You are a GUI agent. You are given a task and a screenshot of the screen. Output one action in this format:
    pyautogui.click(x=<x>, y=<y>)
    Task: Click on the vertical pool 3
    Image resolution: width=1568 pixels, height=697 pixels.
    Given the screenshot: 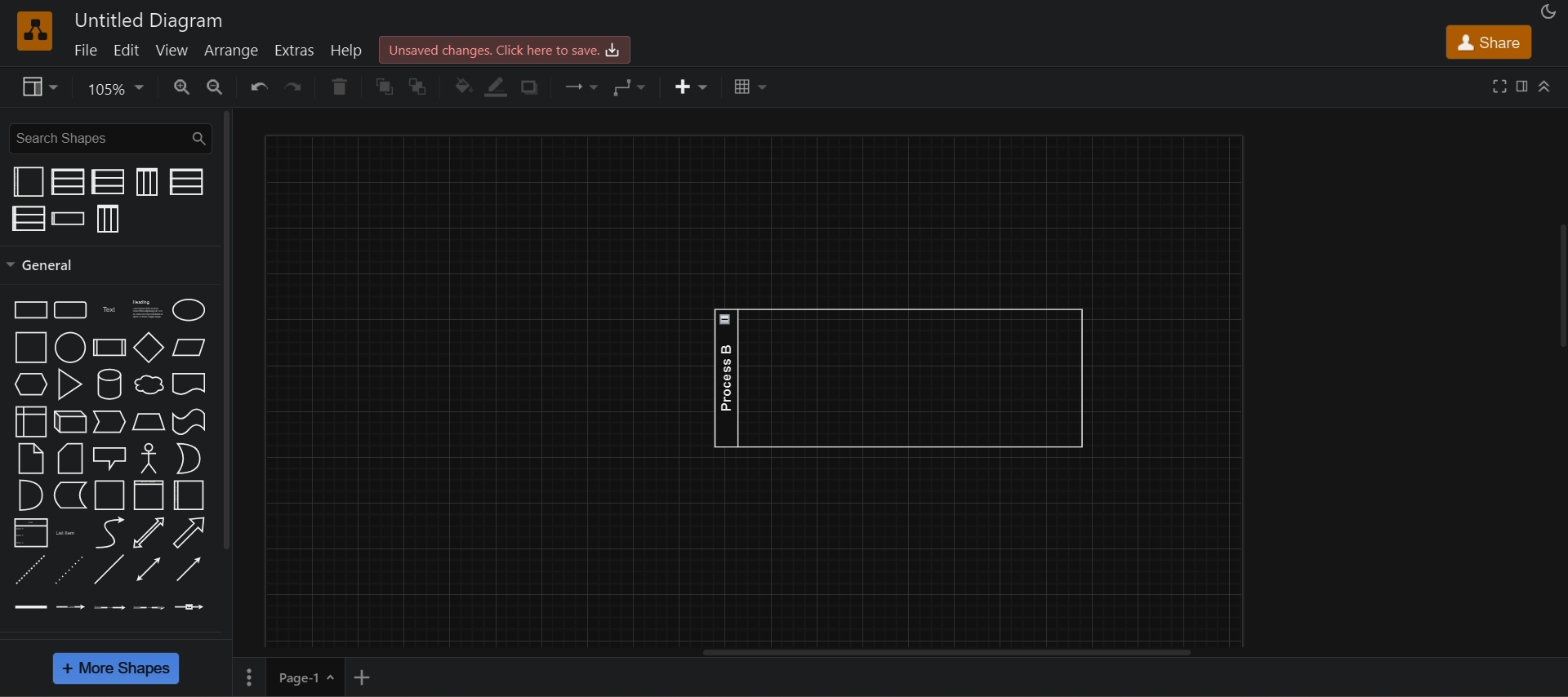 What is the action you would take?
    pyautogui.click(x=109, y=219)
    